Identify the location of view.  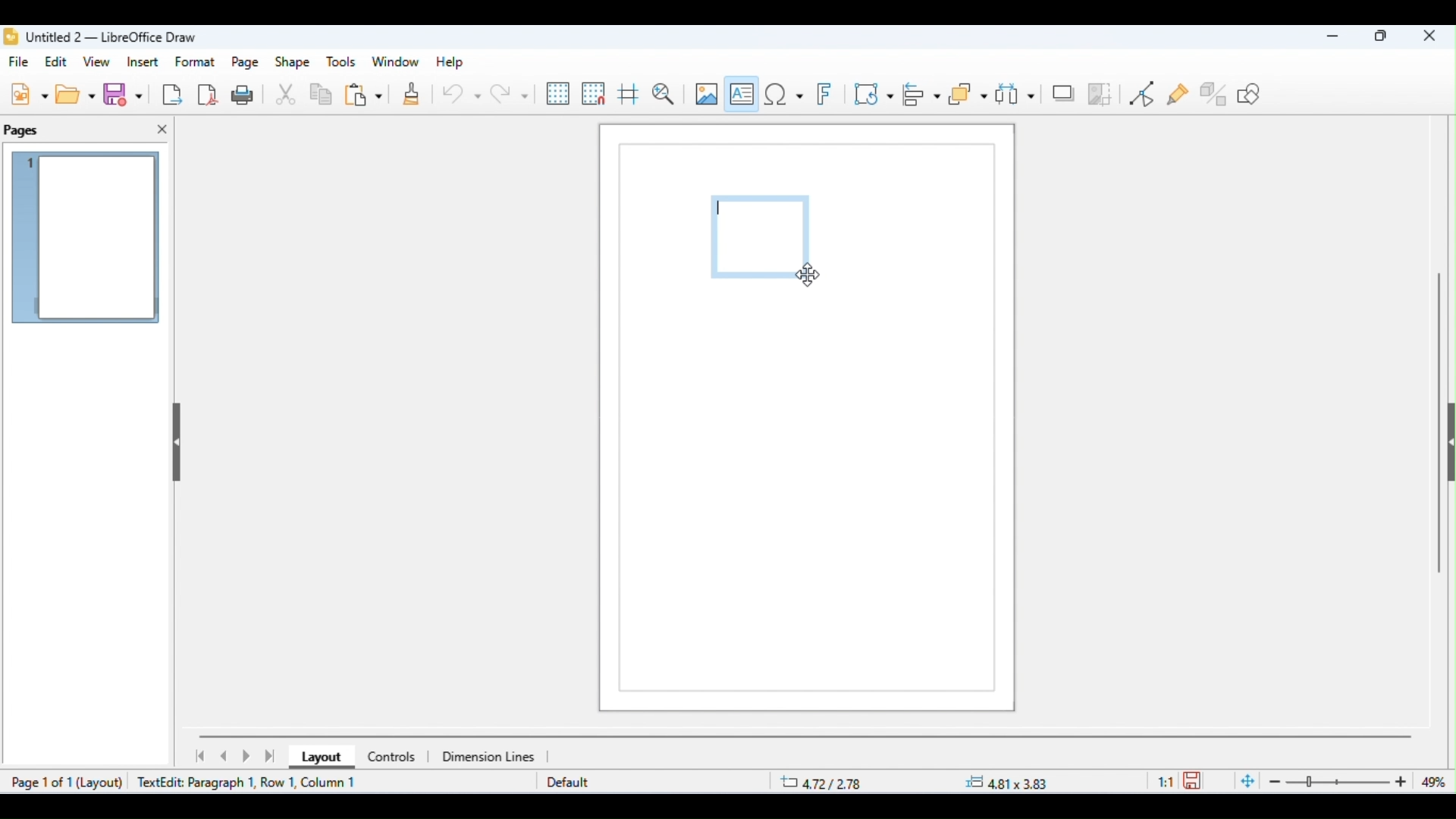
(99, 63).